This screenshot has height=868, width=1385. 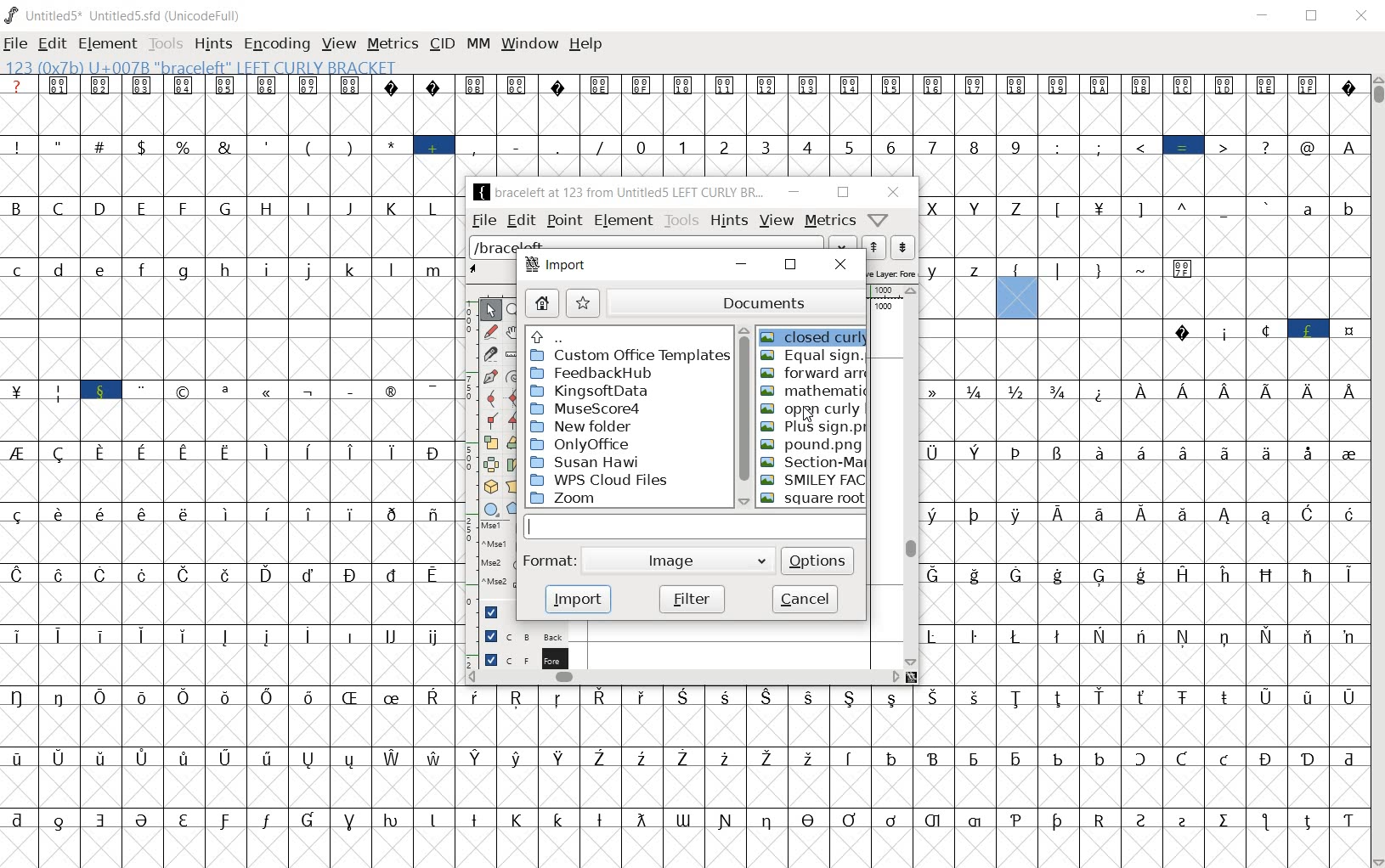 What do you see at coordinates (522, 220) in the screenshot?
I see `edit` at bounding box center [522, 220].